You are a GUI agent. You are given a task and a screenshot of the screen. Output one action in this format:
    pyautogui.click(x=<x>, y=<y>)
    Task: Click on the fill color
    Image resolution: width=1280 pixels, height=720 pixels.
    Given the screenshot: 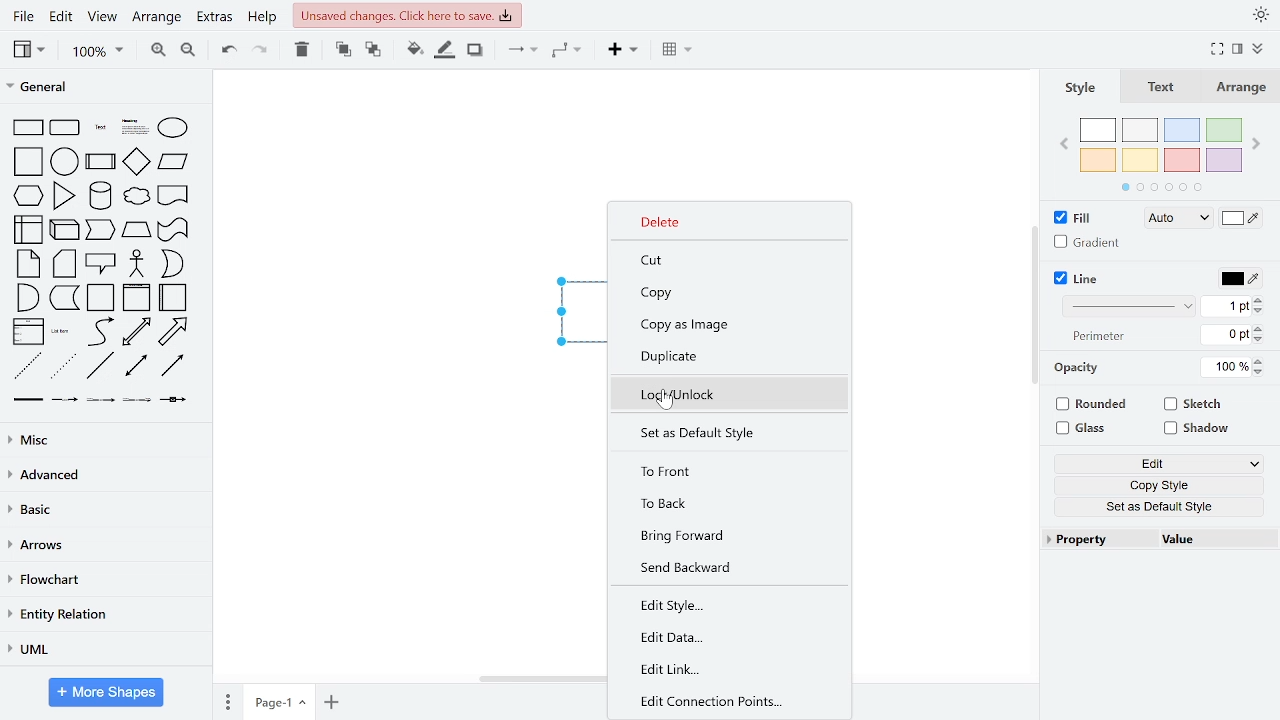 What is the action you would take?
    pyautogui.click(x=413, y=49)
    